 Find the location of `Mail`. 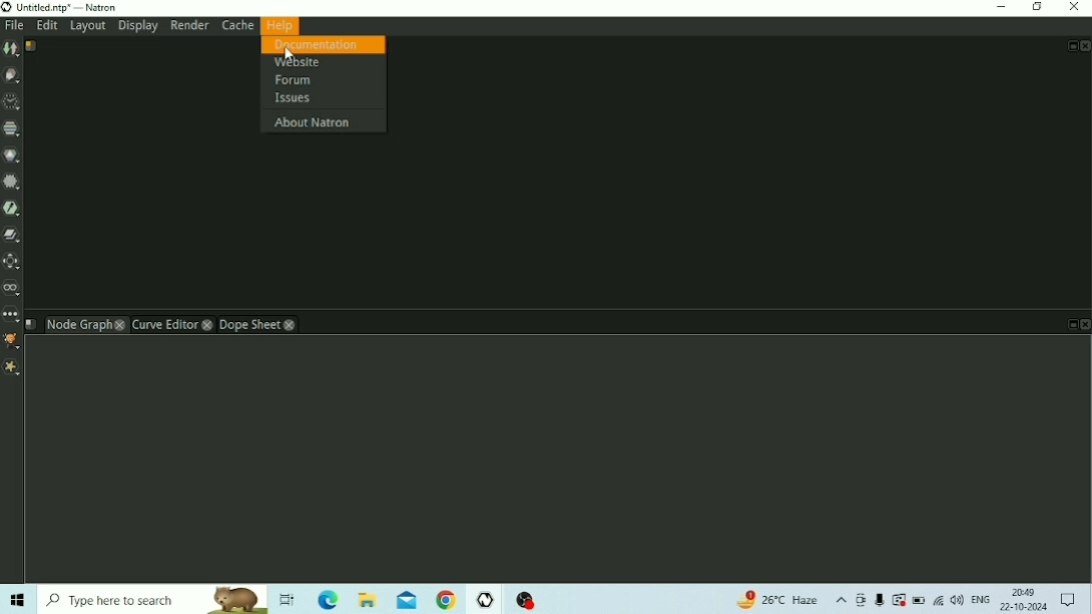

Mail is located at coordinates (407, 599).